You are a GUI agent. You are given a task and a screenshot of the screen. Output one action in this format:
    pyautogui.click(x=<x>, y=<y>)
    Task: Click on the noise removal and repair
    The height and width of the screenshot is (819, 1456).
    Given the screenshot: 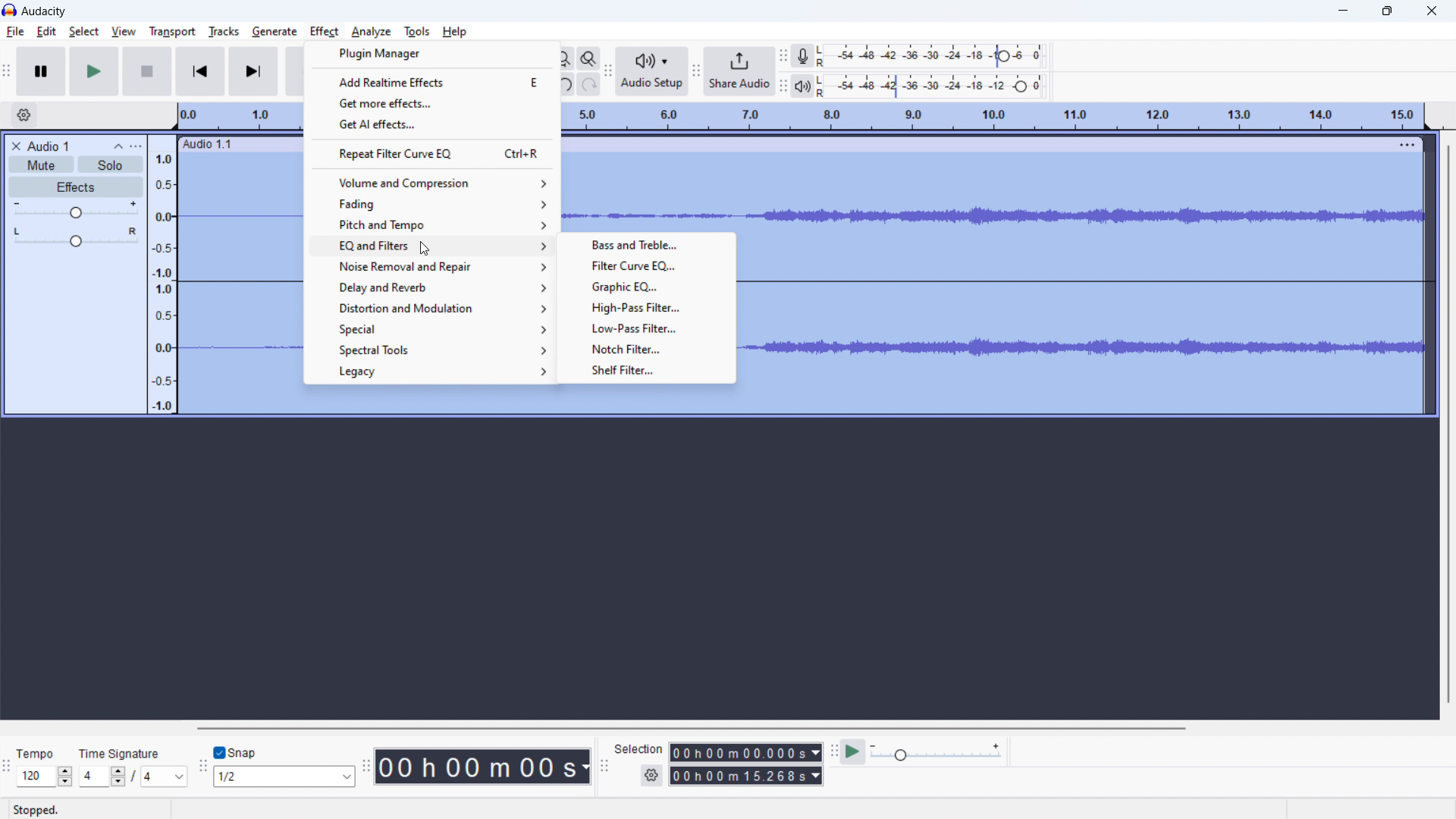 What is the action you would take?
    pyautogui.click(x=429, y=266)
    